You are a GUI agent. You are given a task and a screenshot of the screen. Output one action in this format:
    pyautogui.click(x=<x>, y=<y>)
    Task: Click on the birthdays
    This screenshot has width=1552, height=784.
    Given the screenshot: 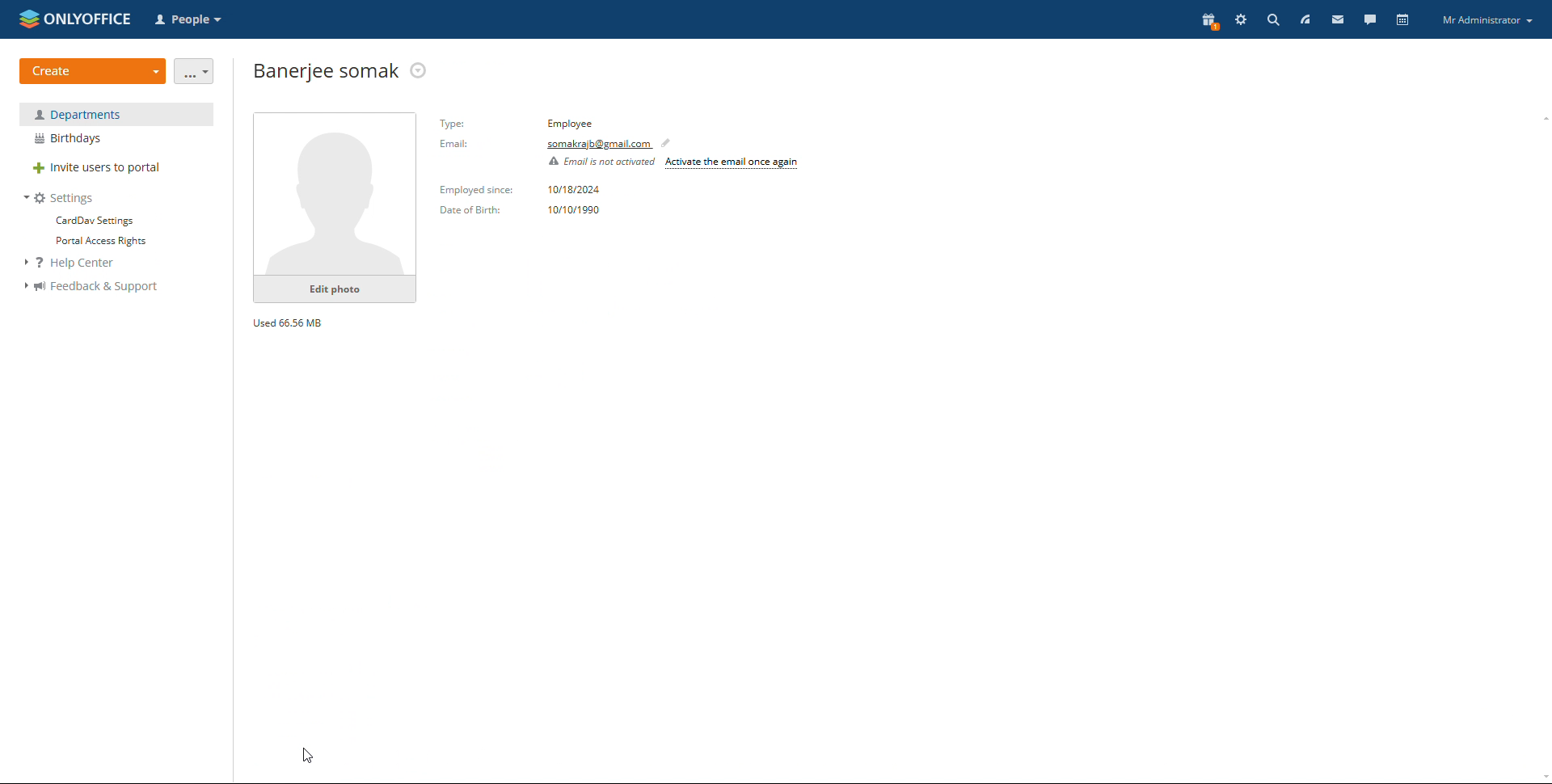 What is the action you would take?
    pyautogui.click(x=116, y=139)
    